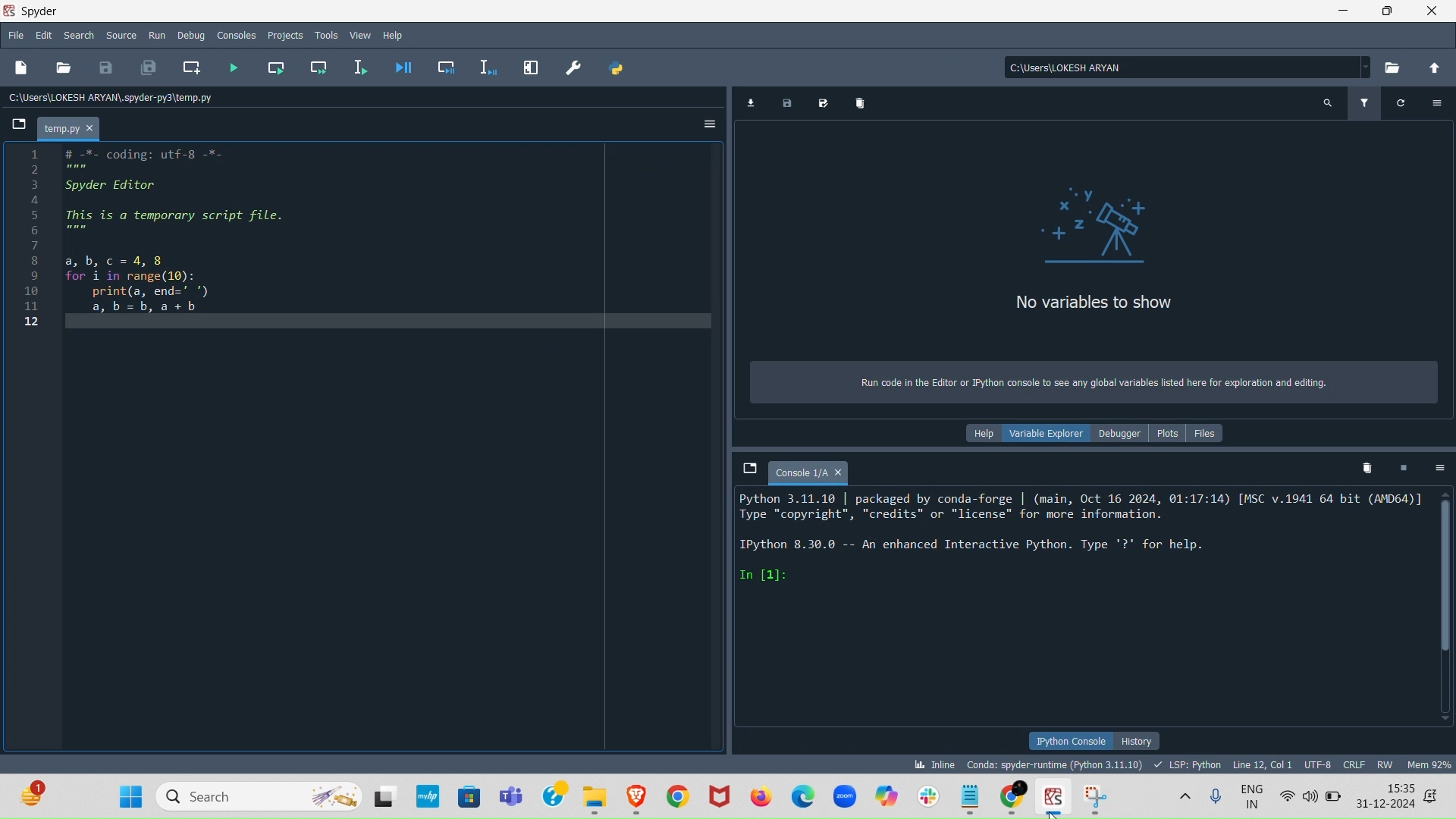 The image size is (1456, 819). What do you see at coordinates (446, 64) in the screenshot?
I see `Debug cell` at bounding box center [446, 64].